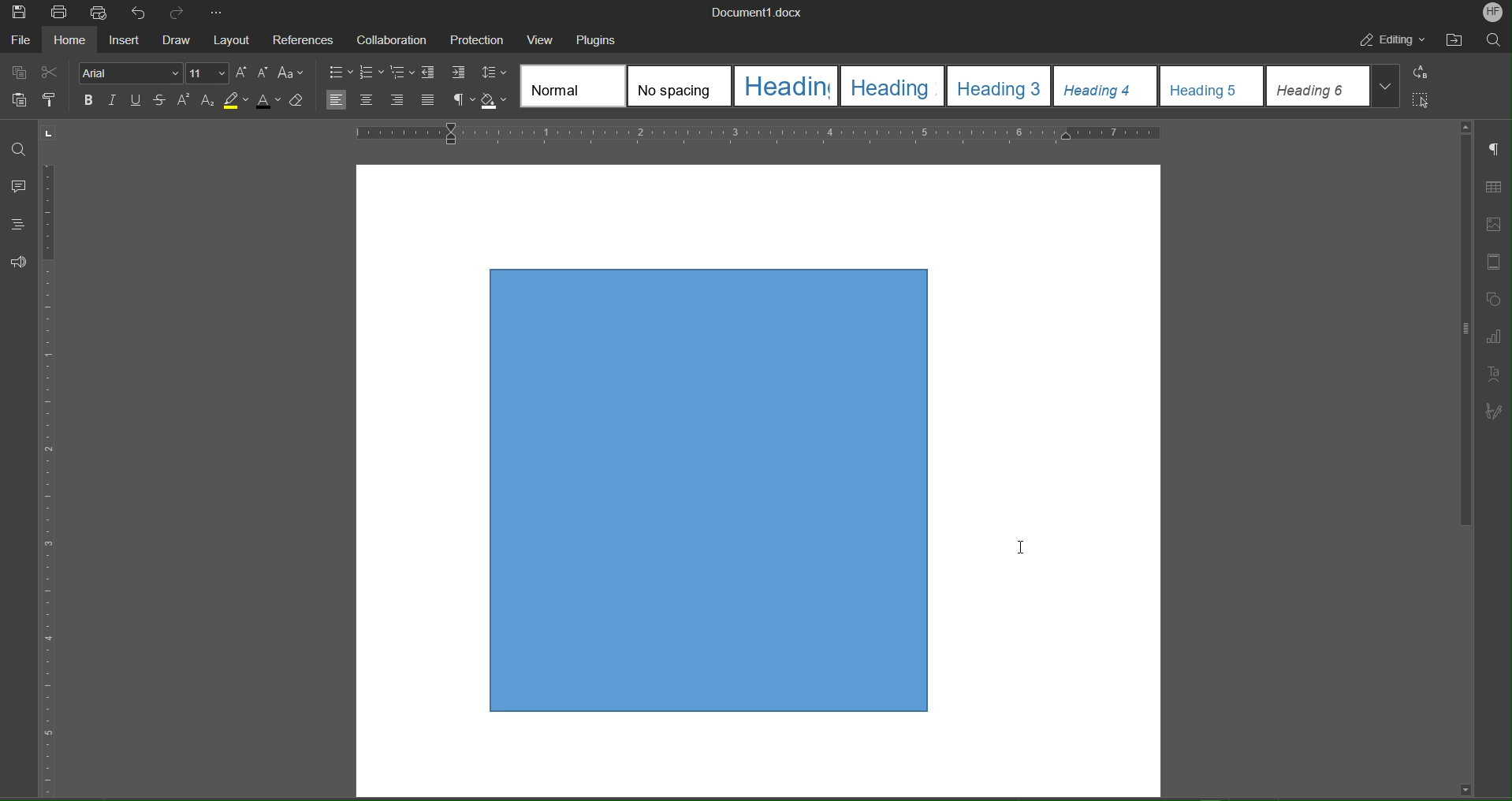  Describe the element at coordinates (241, 72) in the screenshot. I see `Increase size` at that location.